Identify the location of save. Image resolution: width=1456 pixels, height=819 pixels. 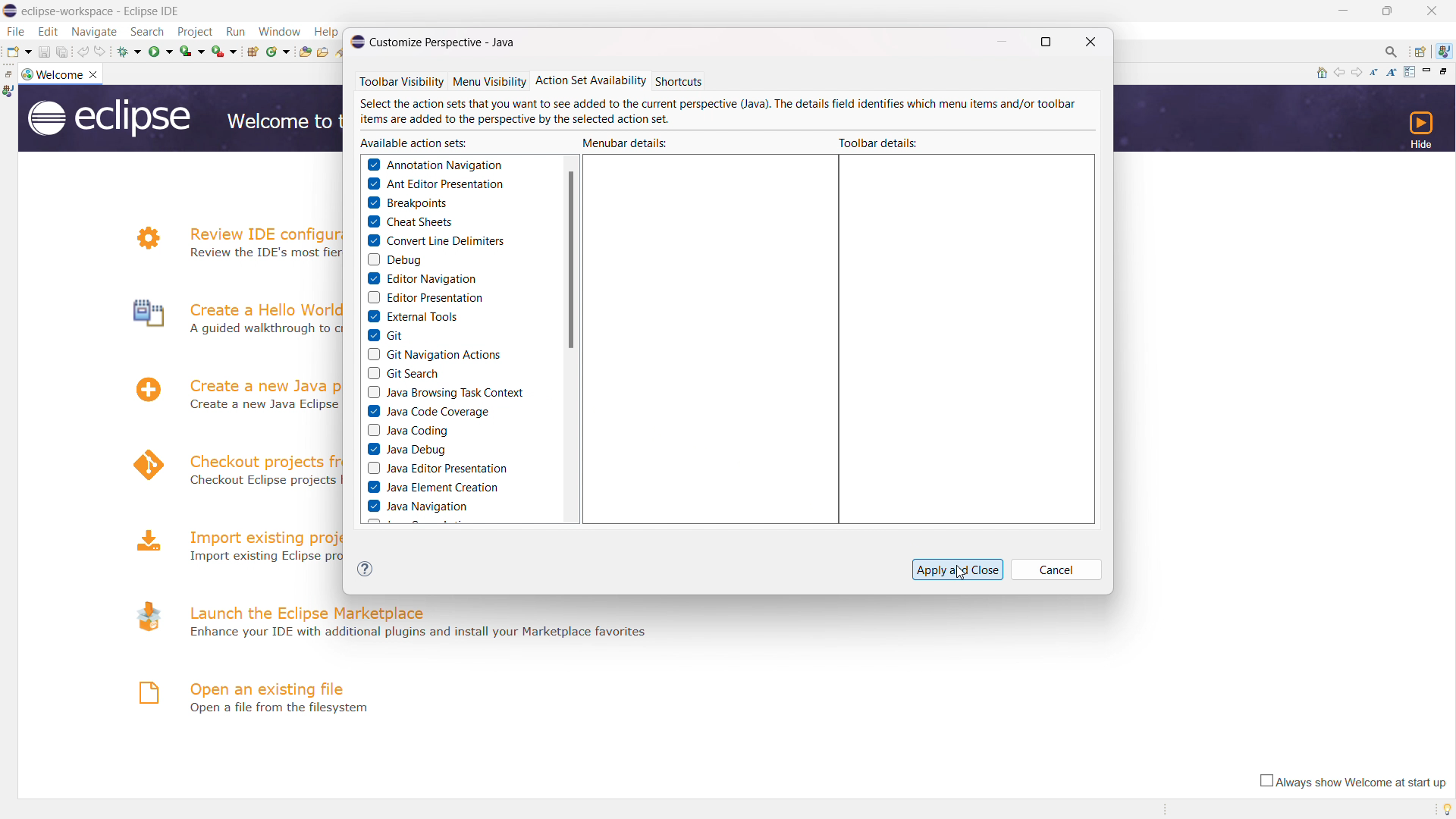
(43, 52).